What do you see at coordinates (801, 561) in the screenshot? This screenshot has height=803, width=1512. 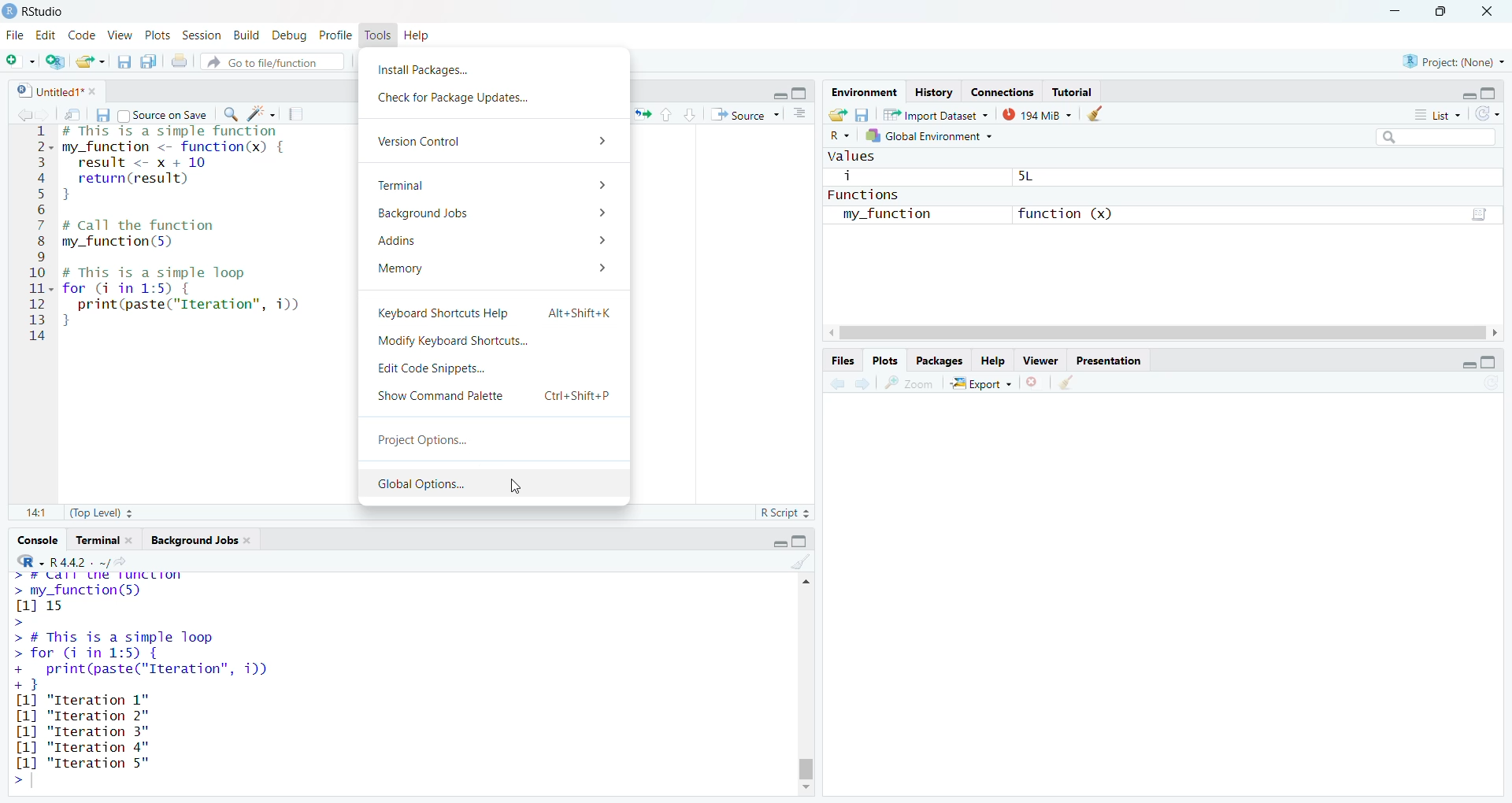 I see `clear console` at bounding box center [801, 561].